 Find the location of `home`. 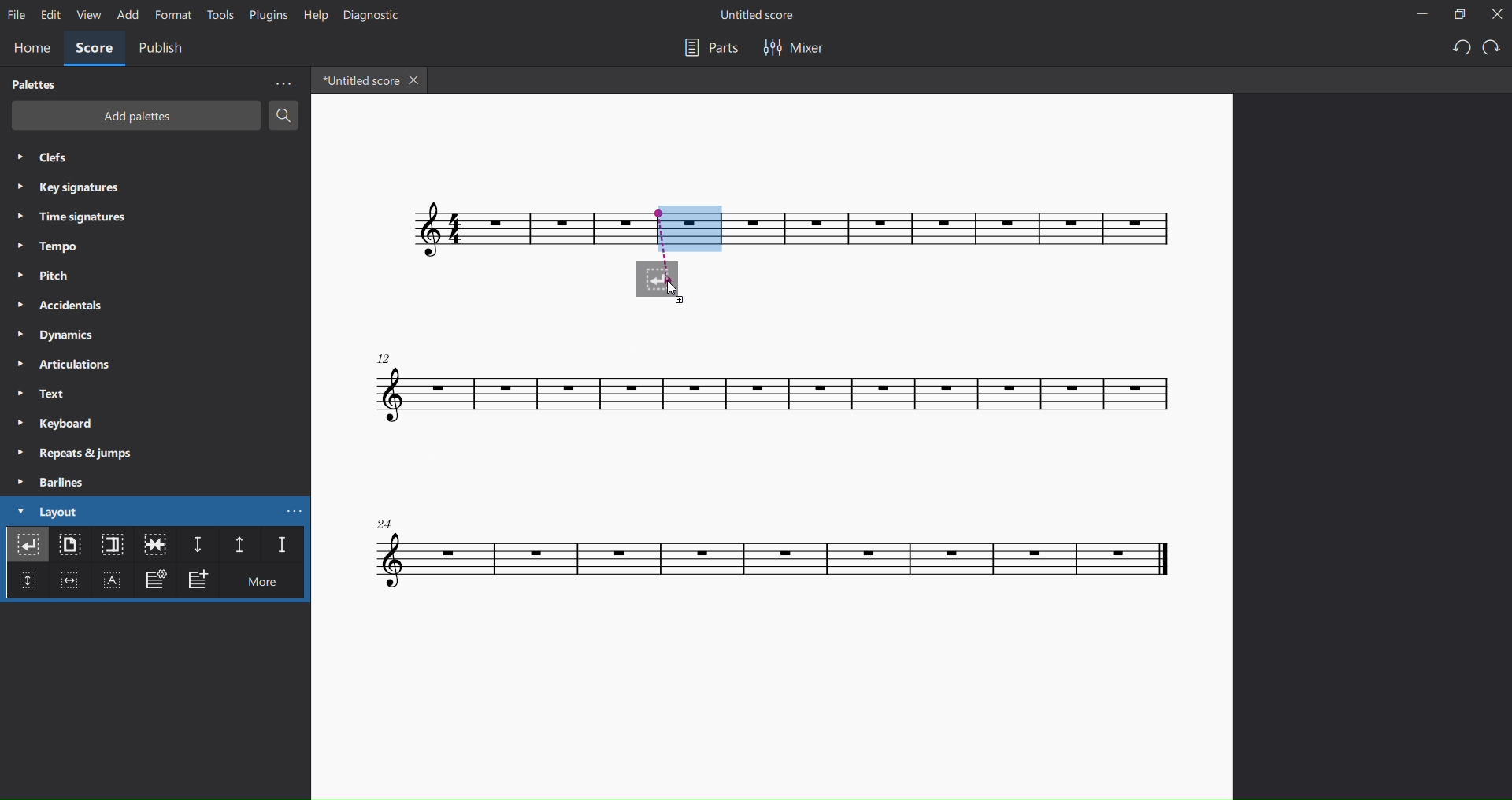

home is located at coordinates (31, 46).